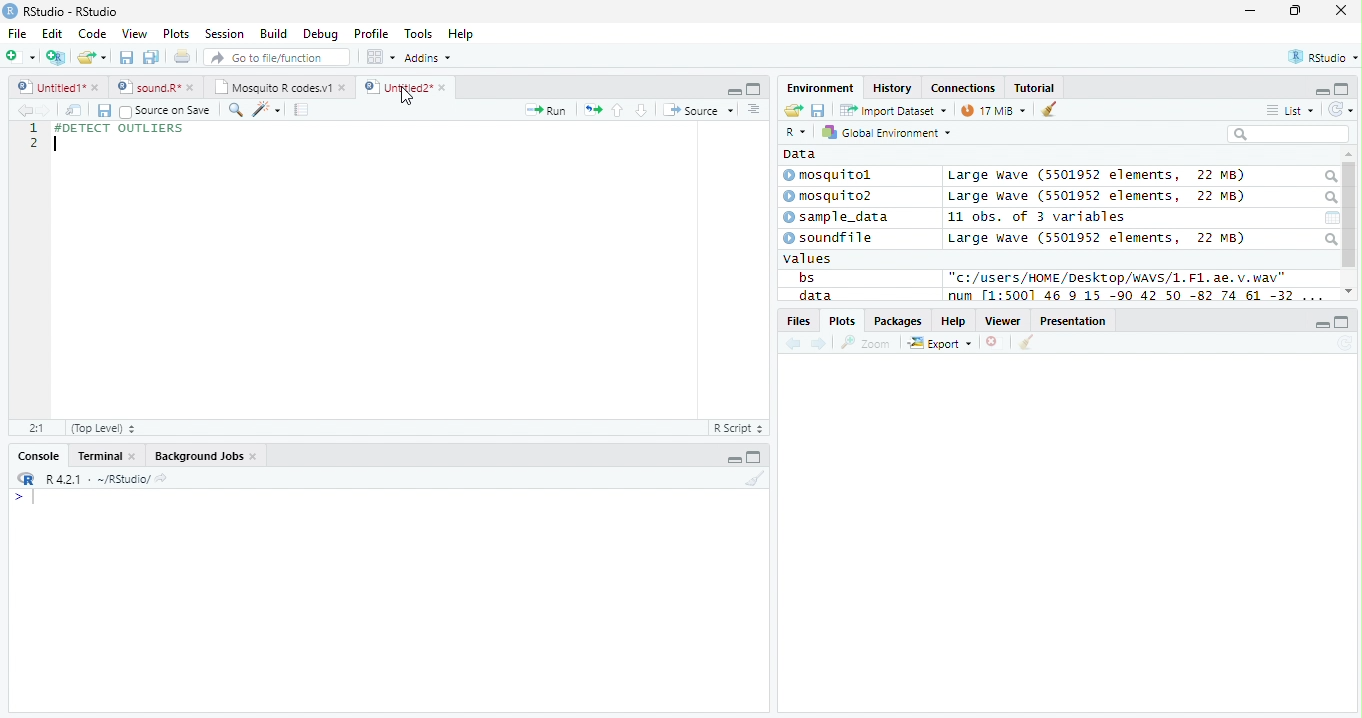 The image size is (1362, 718). I want to click on Plots, so click(177, 34).